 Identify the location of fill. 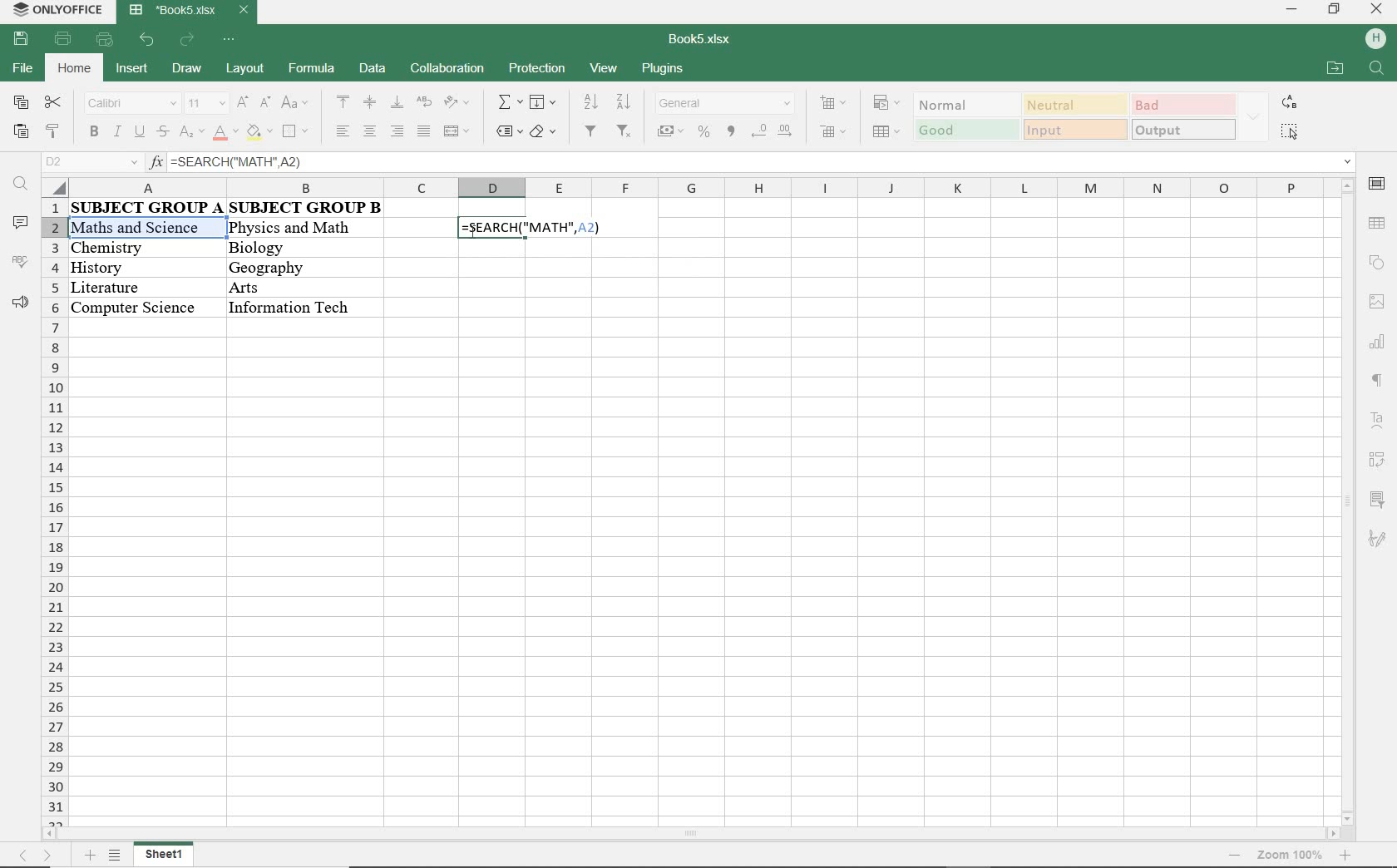
(542, 101).